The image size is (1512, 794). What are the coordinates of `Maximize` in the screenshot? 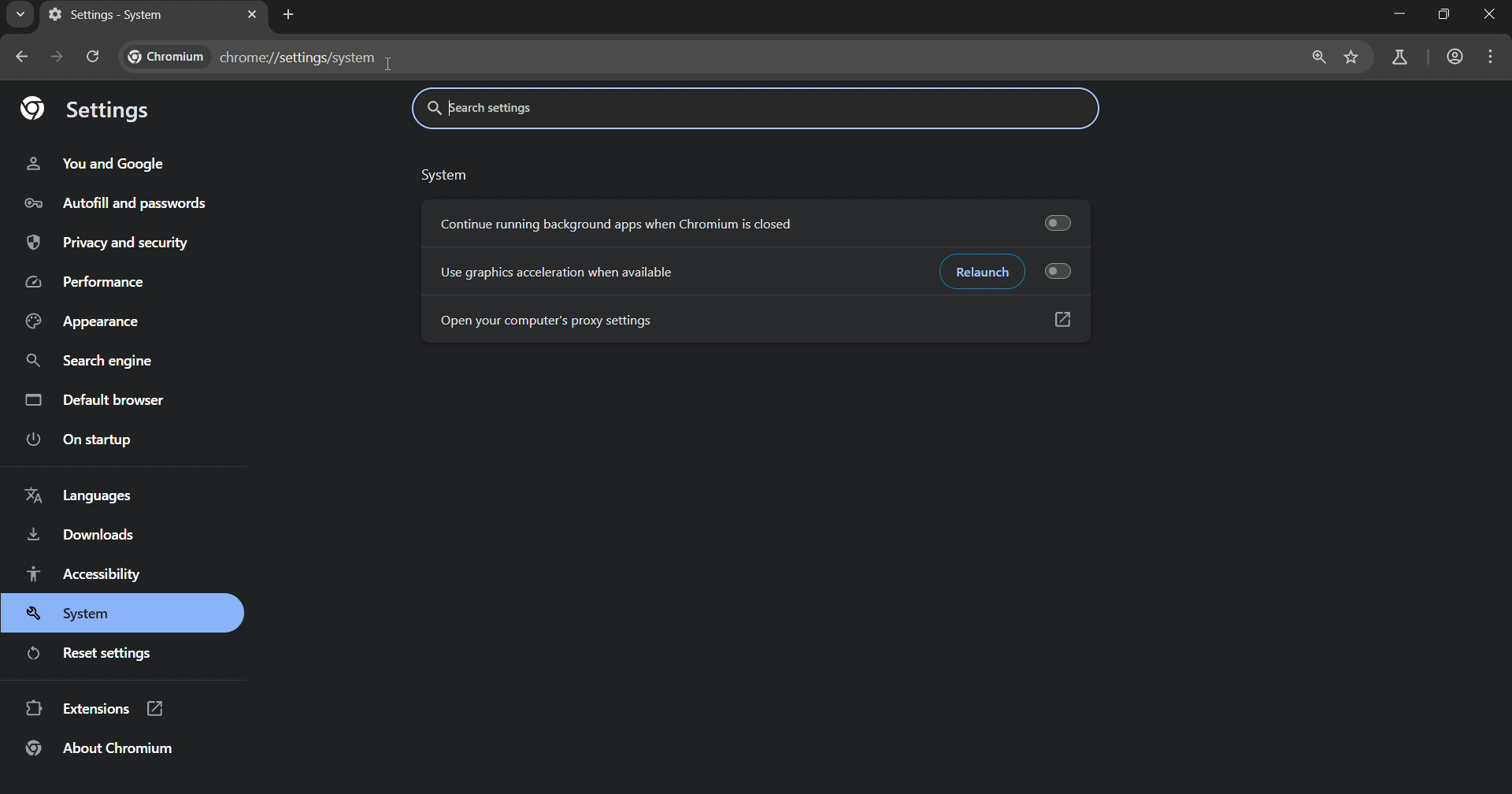 It's located at (1445, 17).